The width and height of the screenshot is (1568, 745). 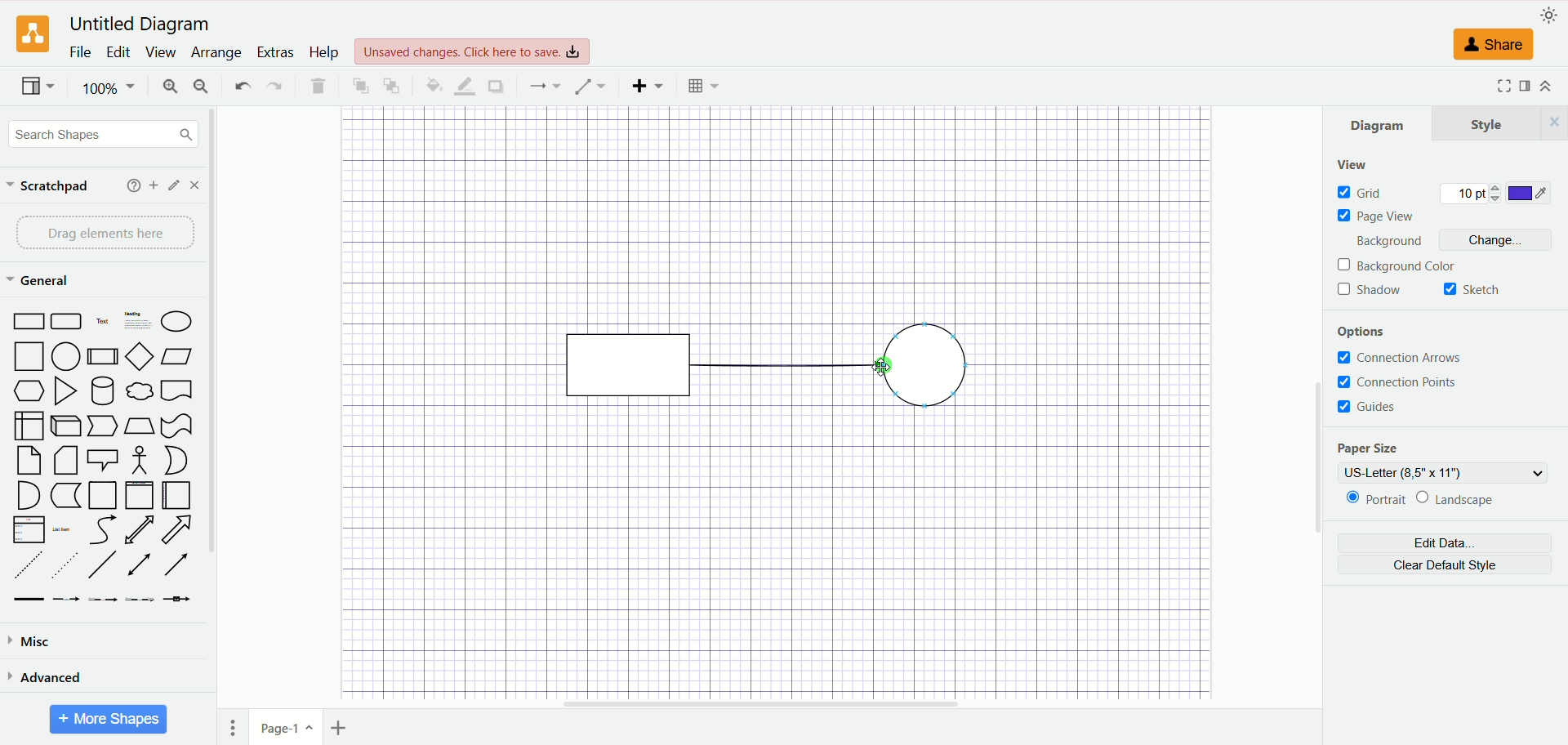 What do you see at coordinates (1376, 216) in the screenshot?
I see `page view` at bounding box center [1376, 216].